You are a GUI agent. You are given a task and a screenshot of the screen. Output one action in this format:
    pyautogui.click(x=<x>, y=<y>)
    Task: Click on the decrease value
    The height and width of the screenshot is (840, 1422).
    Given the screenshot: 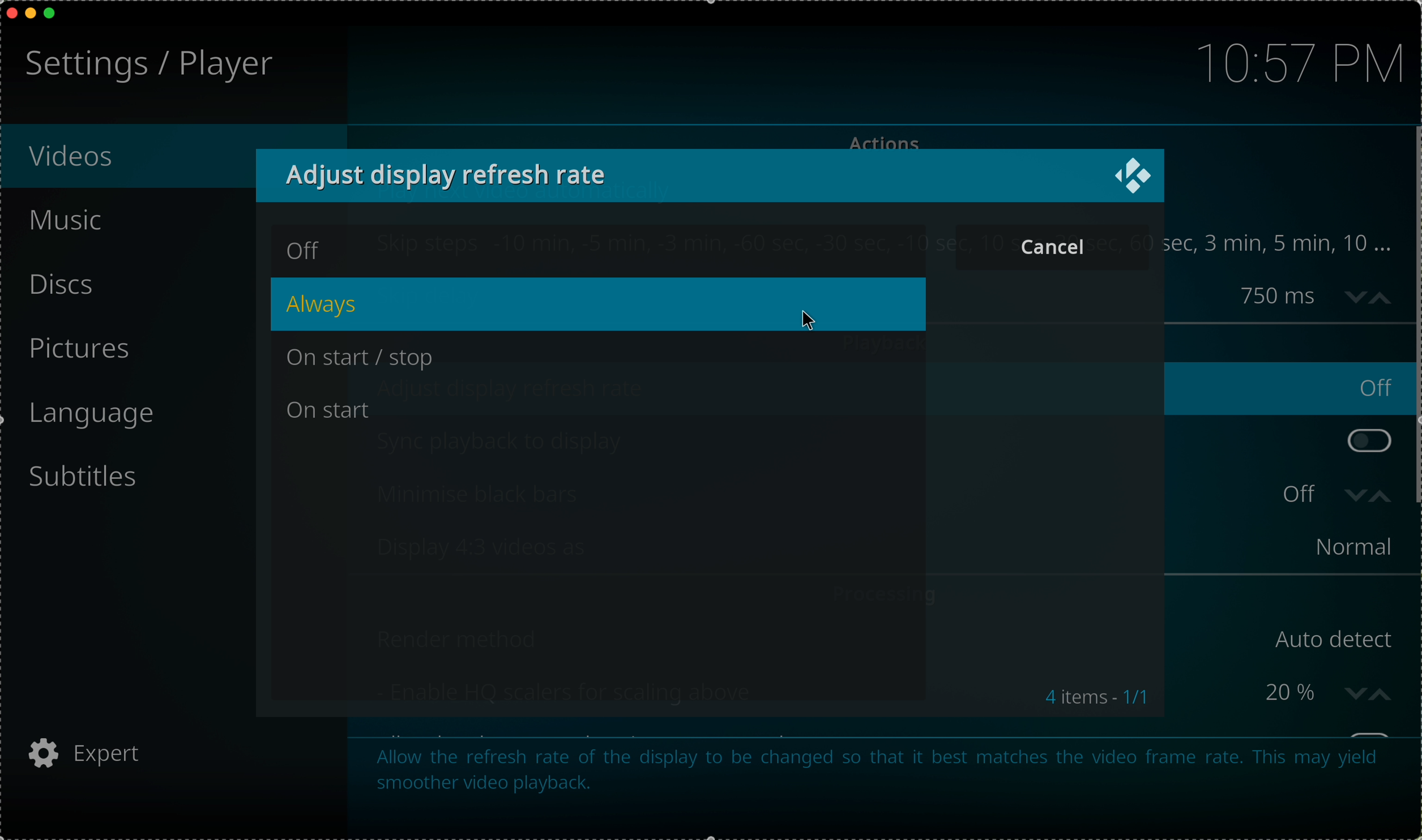 What is the action you would take?
    pyautogui.click(x=1353, y=498)
    